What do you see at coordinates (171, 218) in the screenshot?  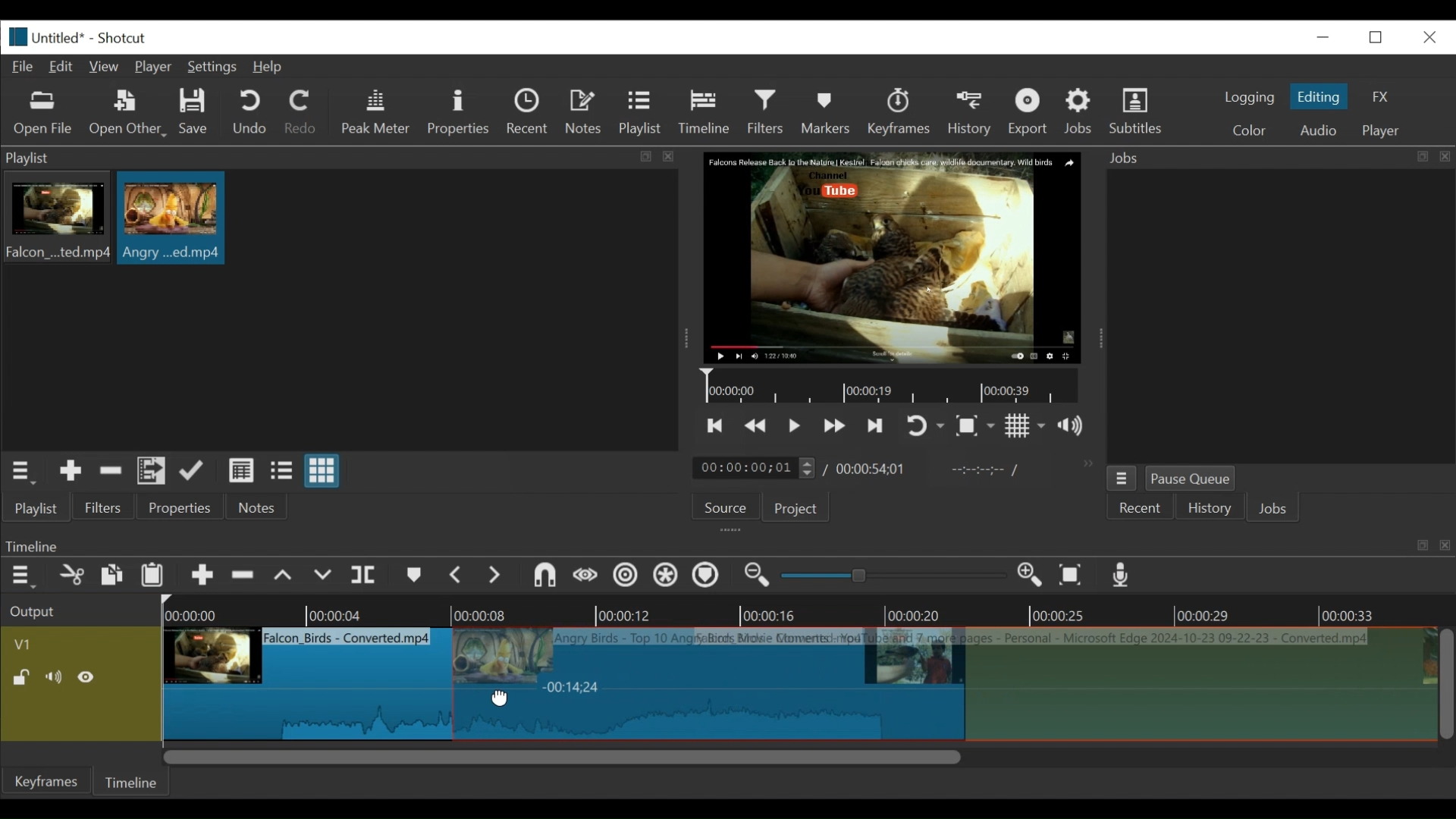 I see `clip` at bounding box center [171, 218].